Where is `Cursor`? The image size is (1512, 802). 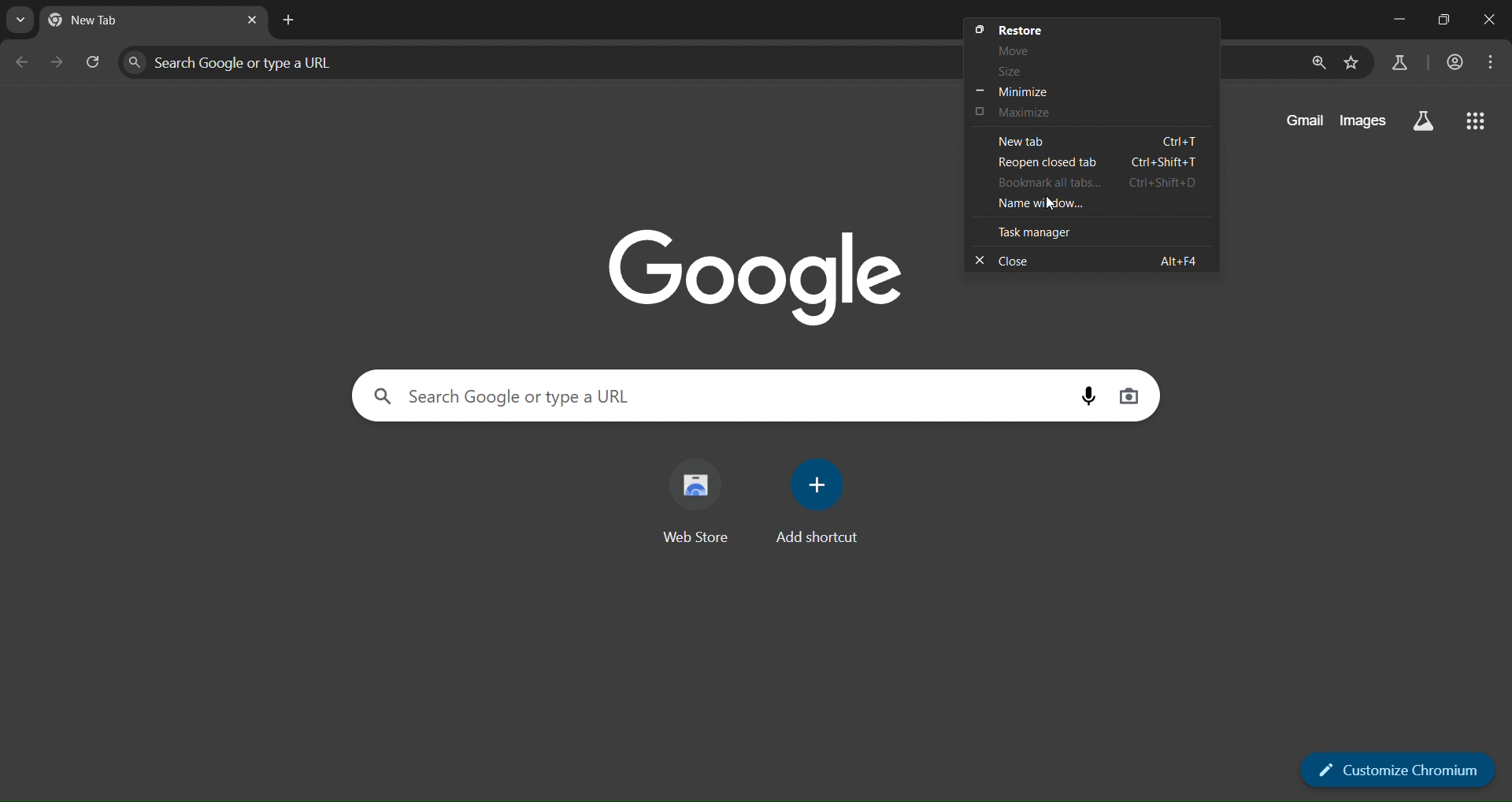 Cursor is located at coordinates (1051, 203).